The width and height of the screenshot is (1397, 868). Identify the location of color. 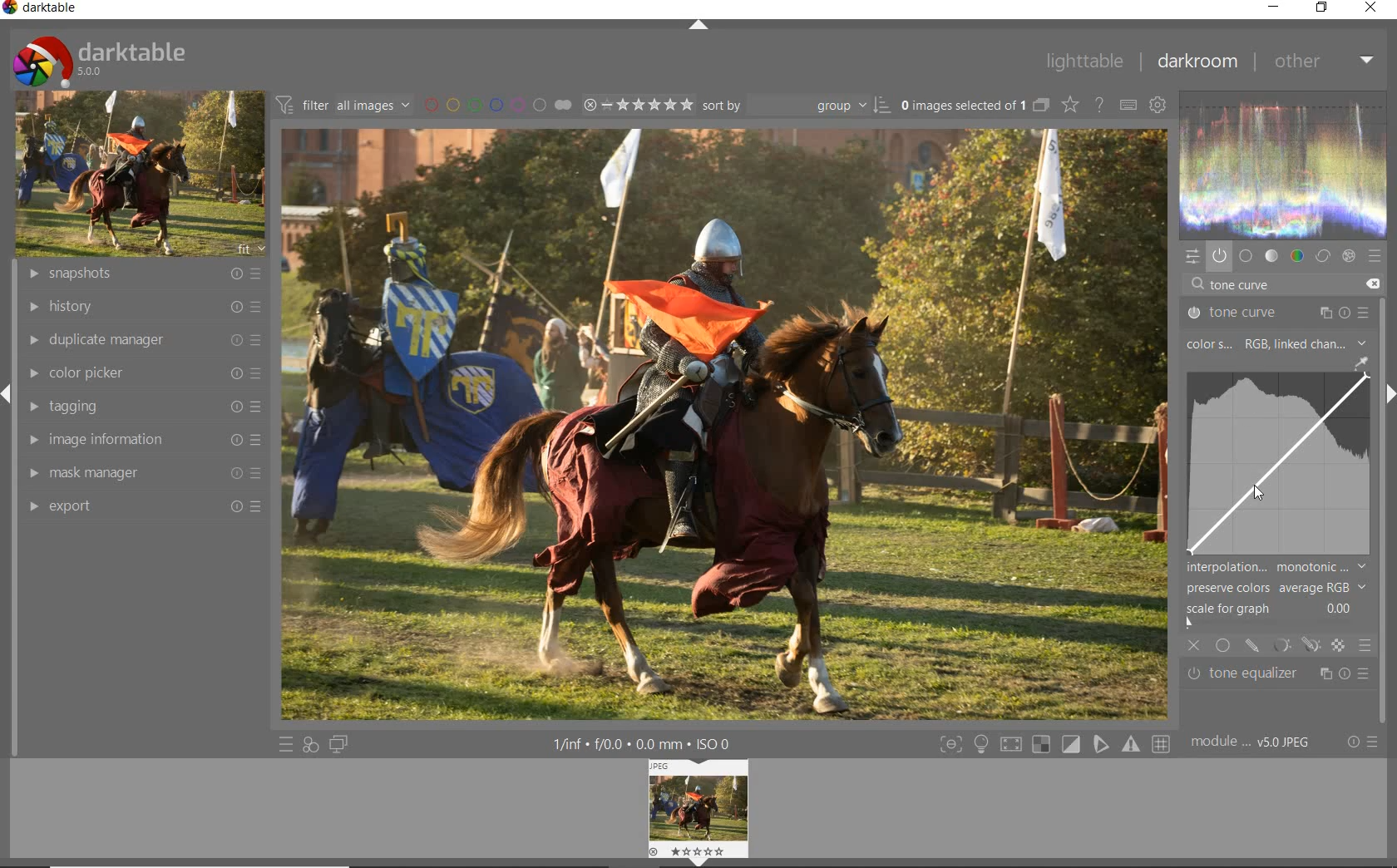
(1298, 256).